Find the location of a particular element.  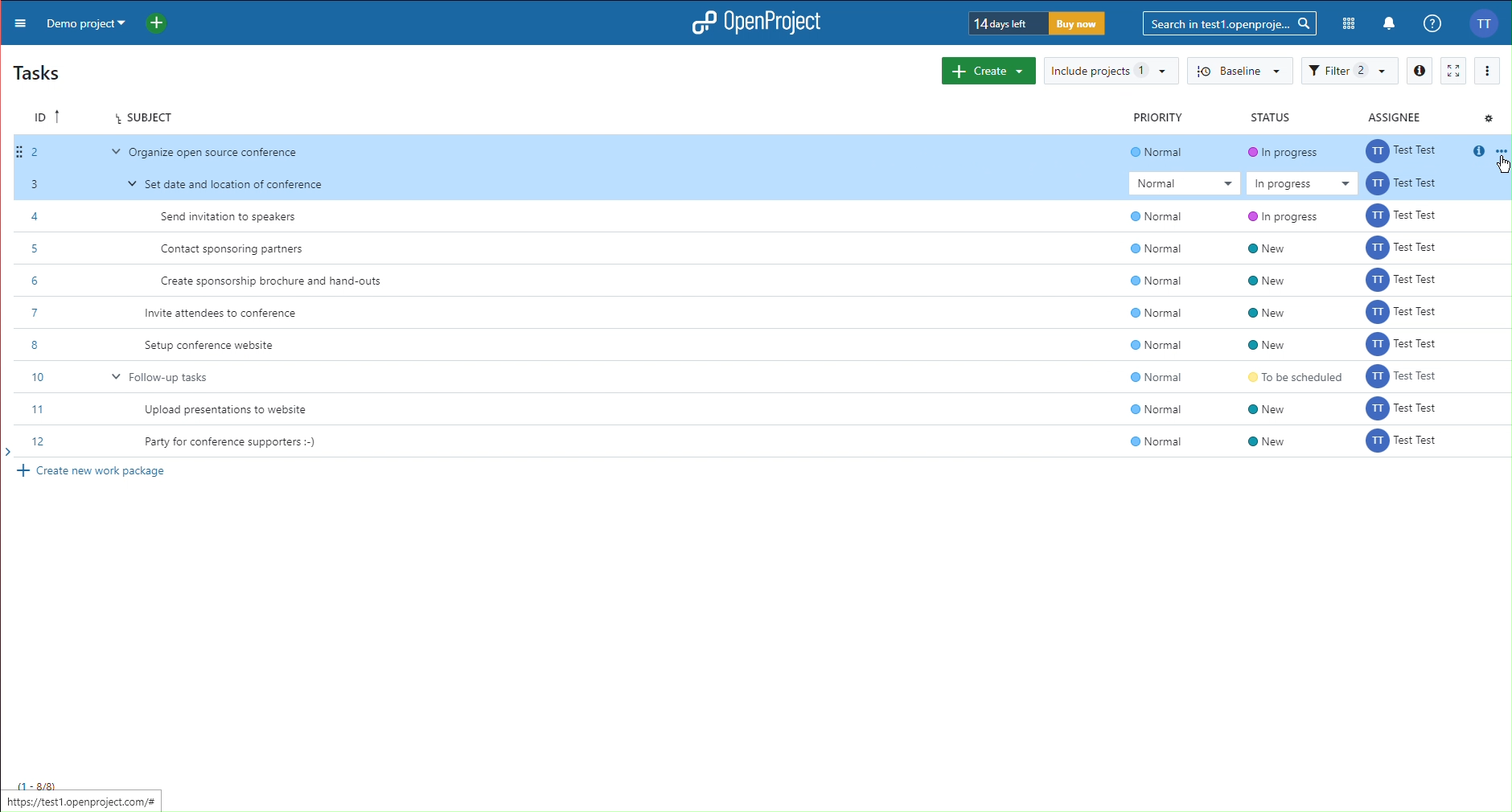

Upload presentations to website is located at coordinates (234, 411).